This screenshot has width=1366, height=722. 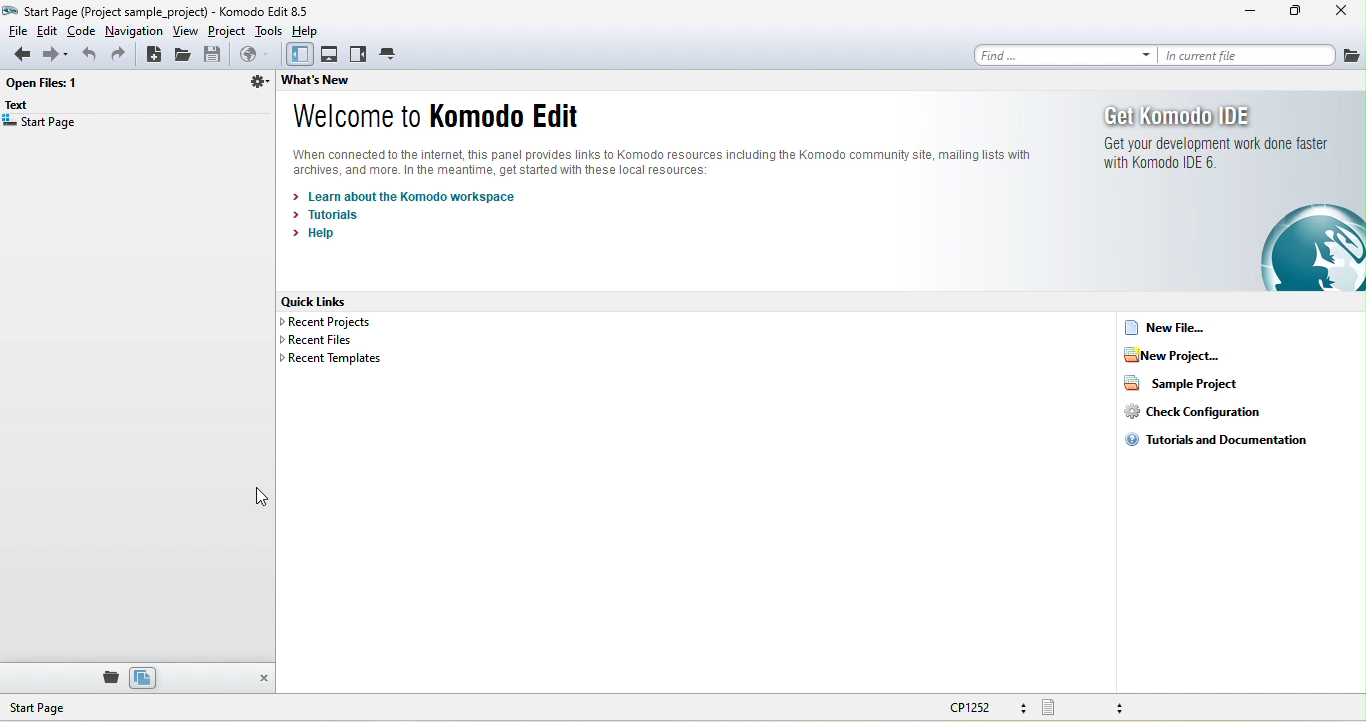 I want to click on file, so click(x=16, y=30).